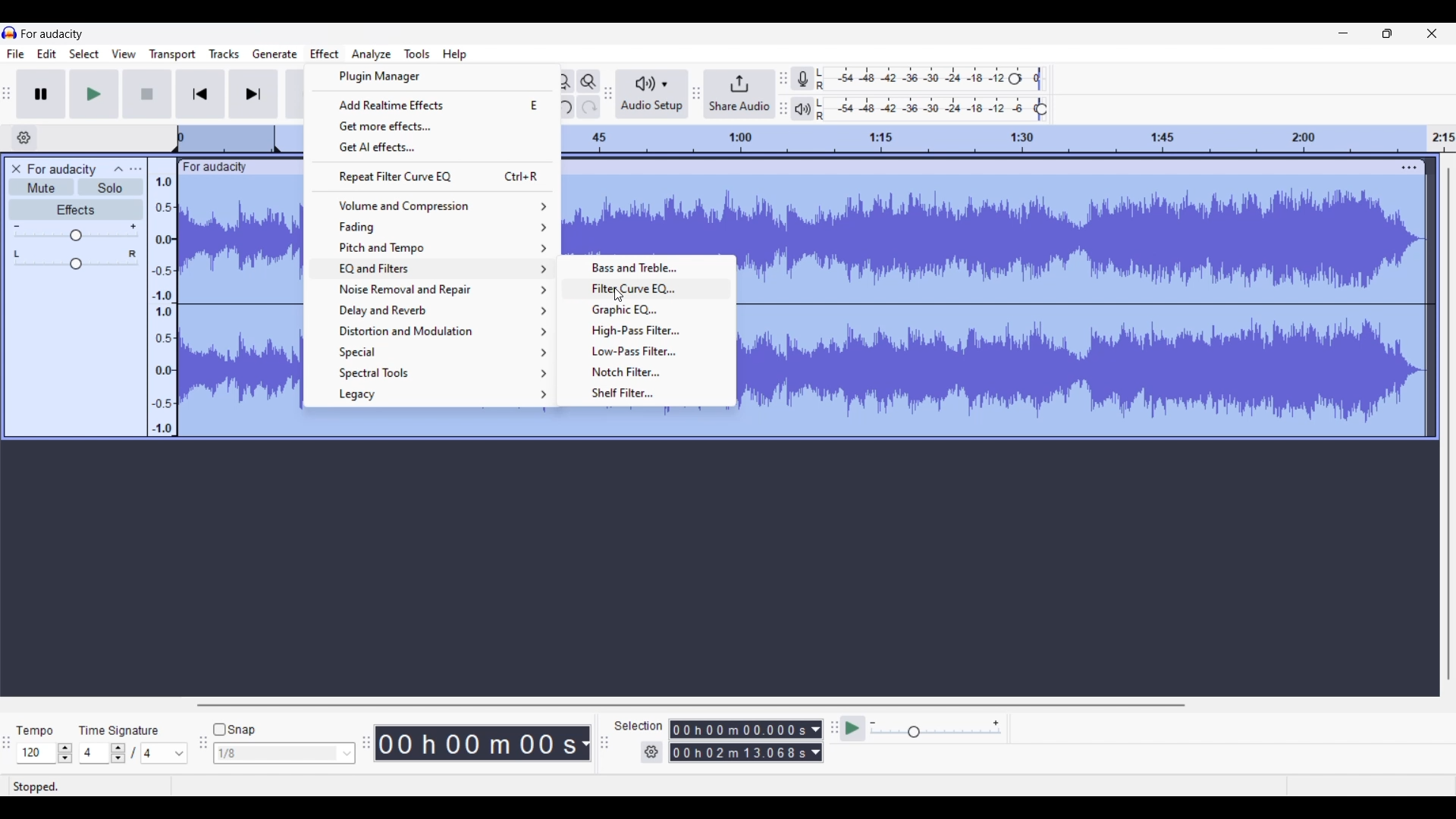  Describe the element at coordinates (433, 395) in the screenshot. I see `Legacy options` at that location.